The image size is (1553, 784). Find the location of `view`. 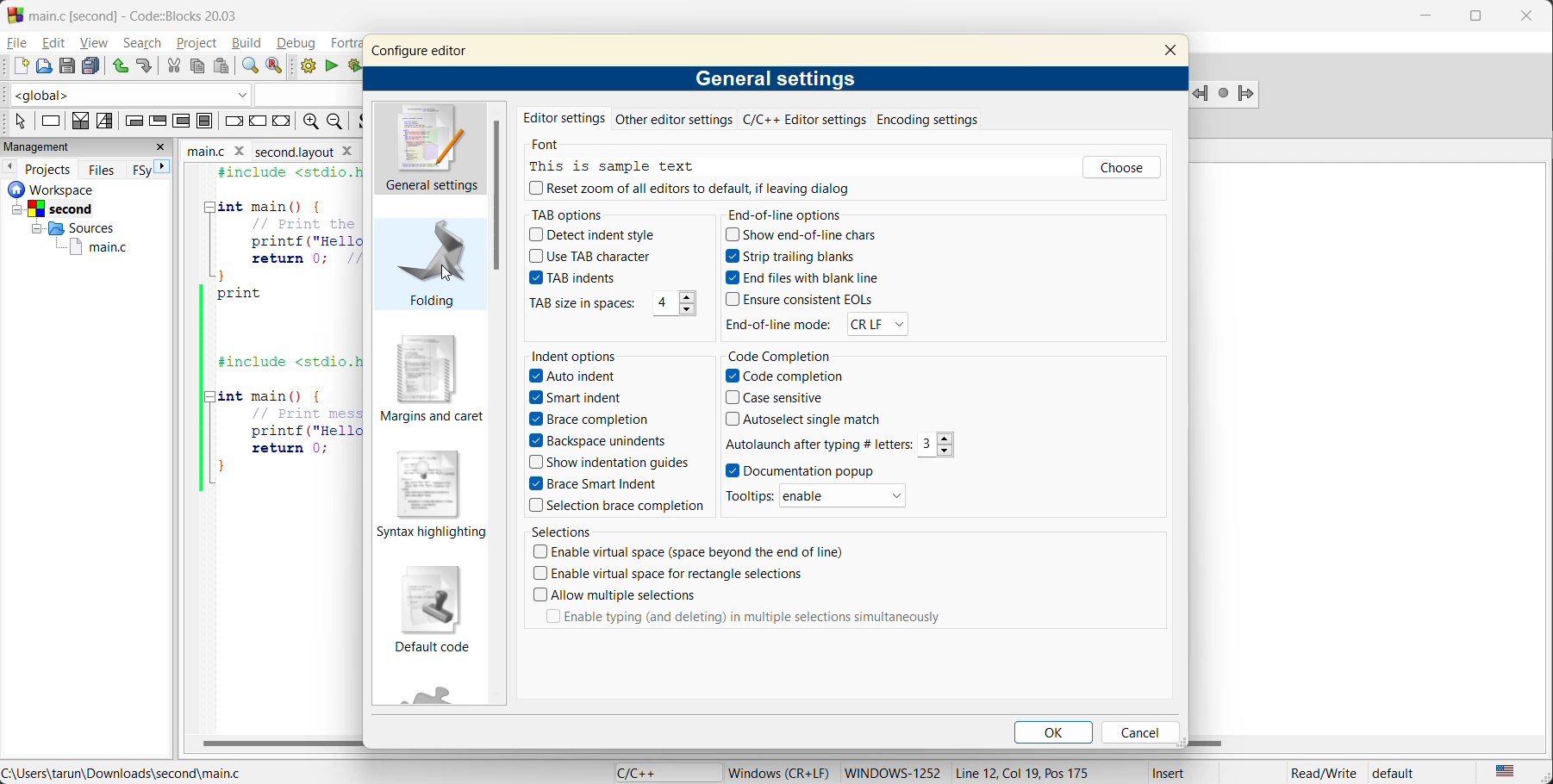

view is located at coordinates (92, 42).